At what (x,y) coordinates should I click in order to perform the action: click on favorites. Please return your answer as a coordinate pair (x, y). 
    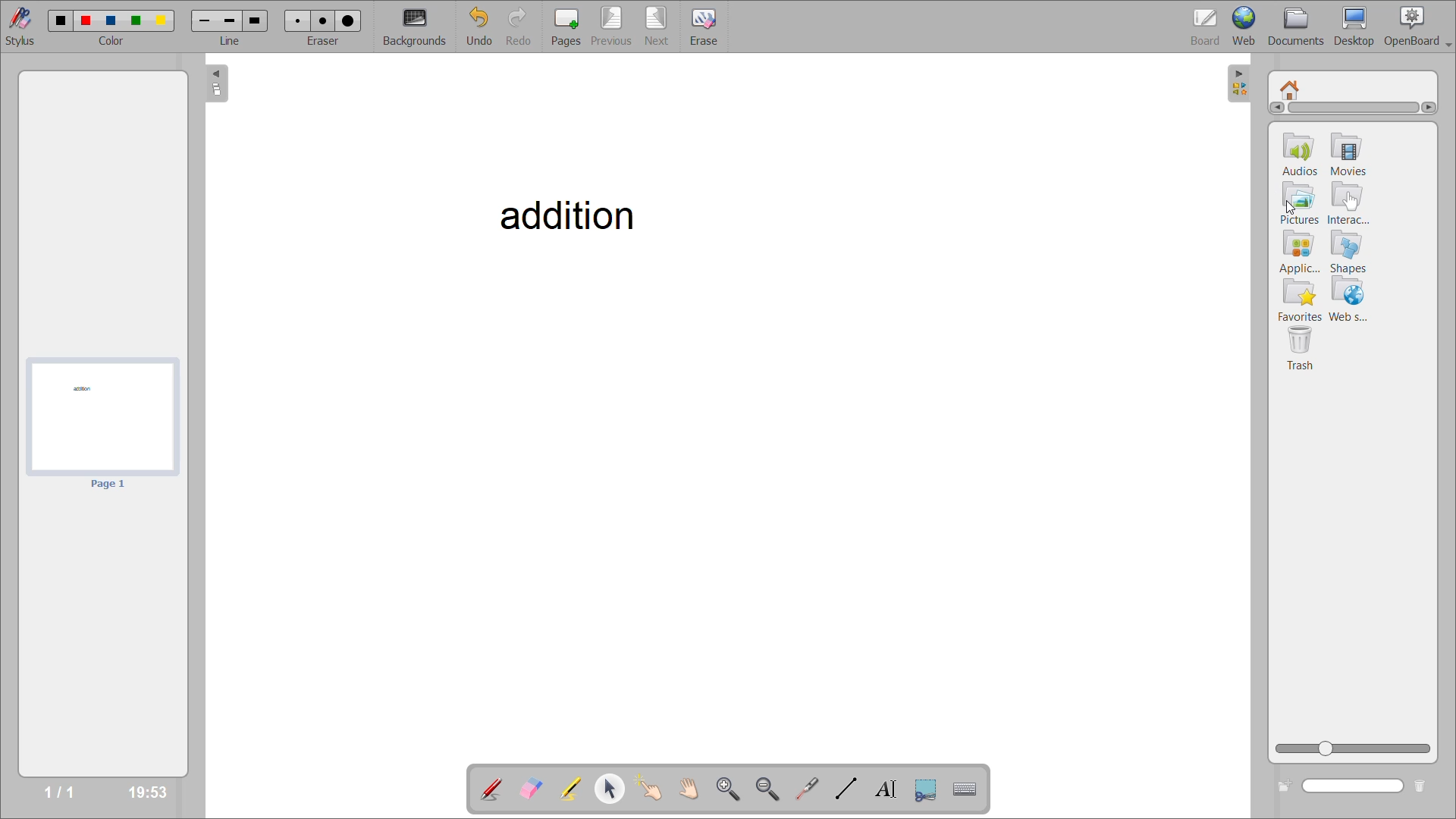
    Looking at the image, I should click on (1300, 302).